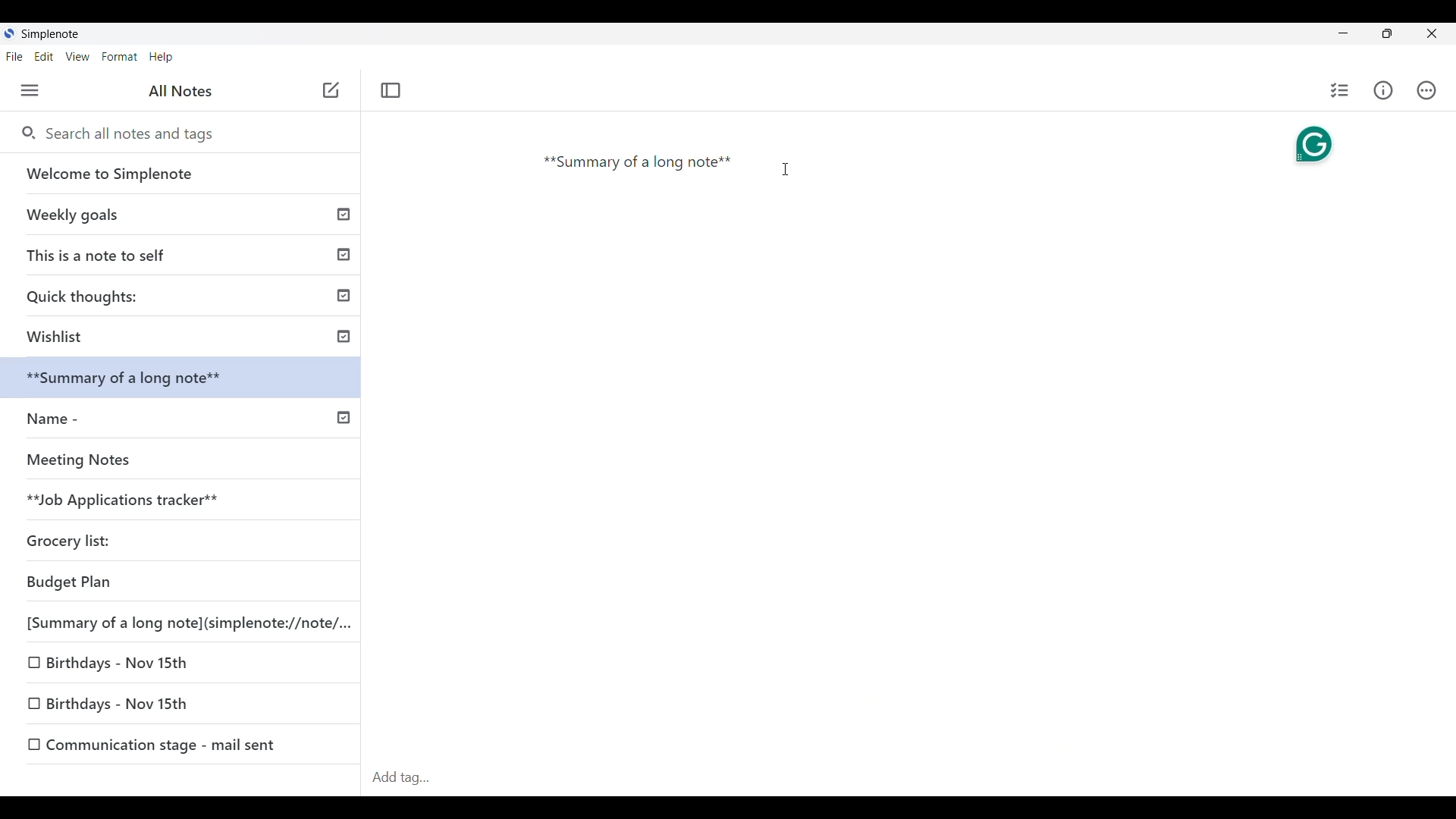 The width and height of the screenshot is (1456, 819). I want to click on Summary of a long note, so click(180, 376).